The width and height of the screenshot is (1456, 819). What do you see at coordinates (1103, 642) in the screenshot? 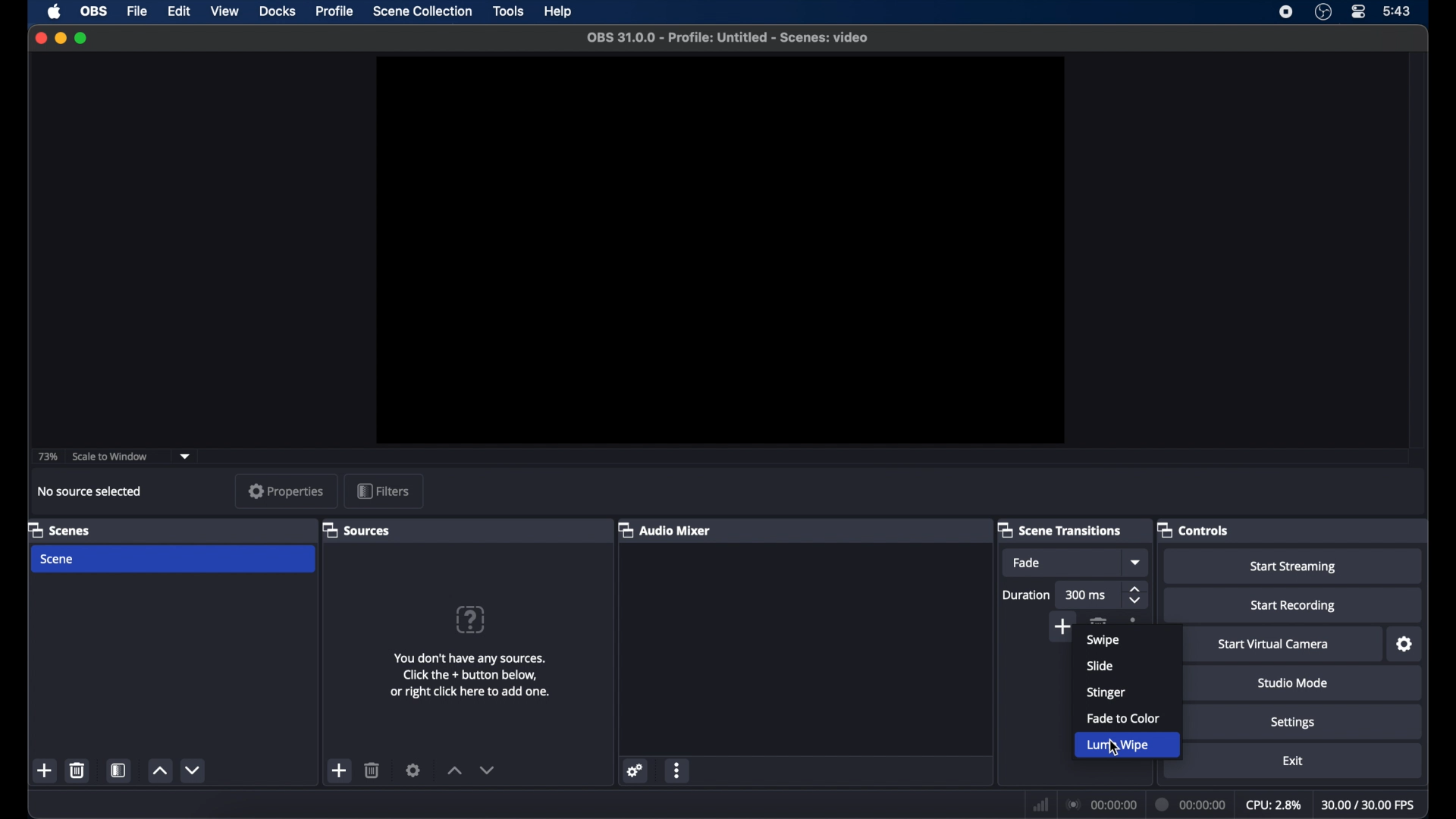
I see `swipe` at bounding box center [1103, 642].